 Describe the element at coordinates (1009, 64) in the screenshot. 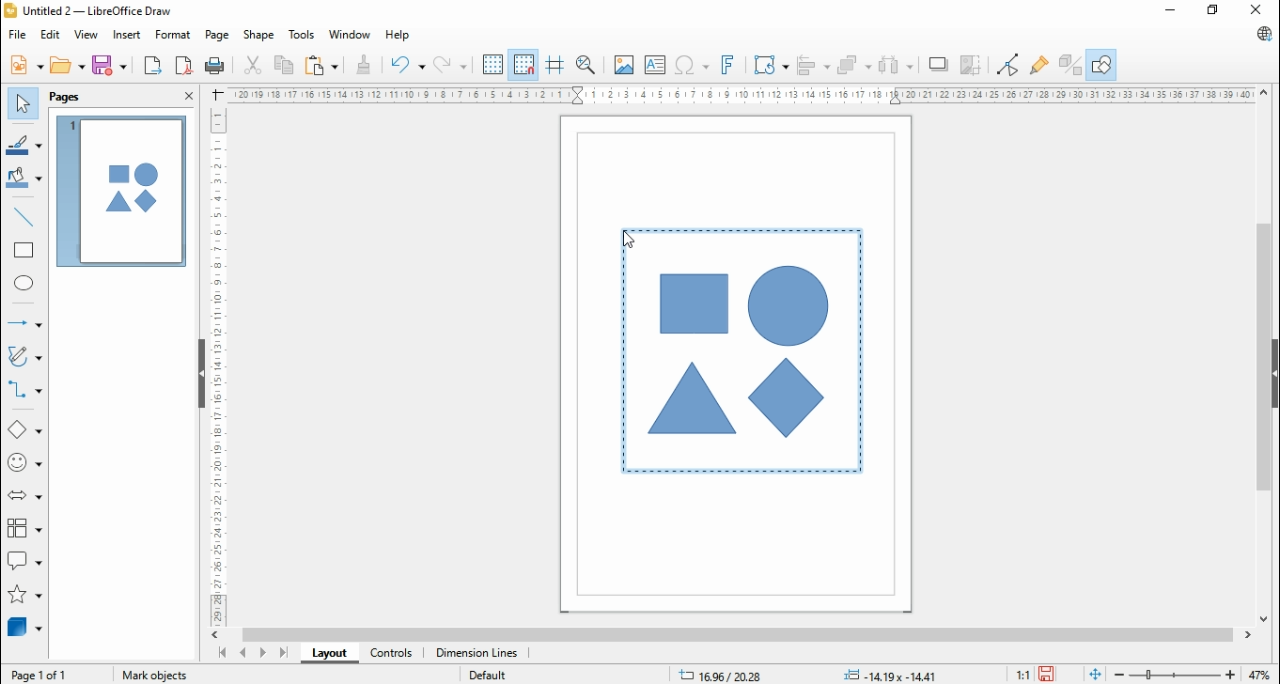

I see `toggle point edit mode` at that location.